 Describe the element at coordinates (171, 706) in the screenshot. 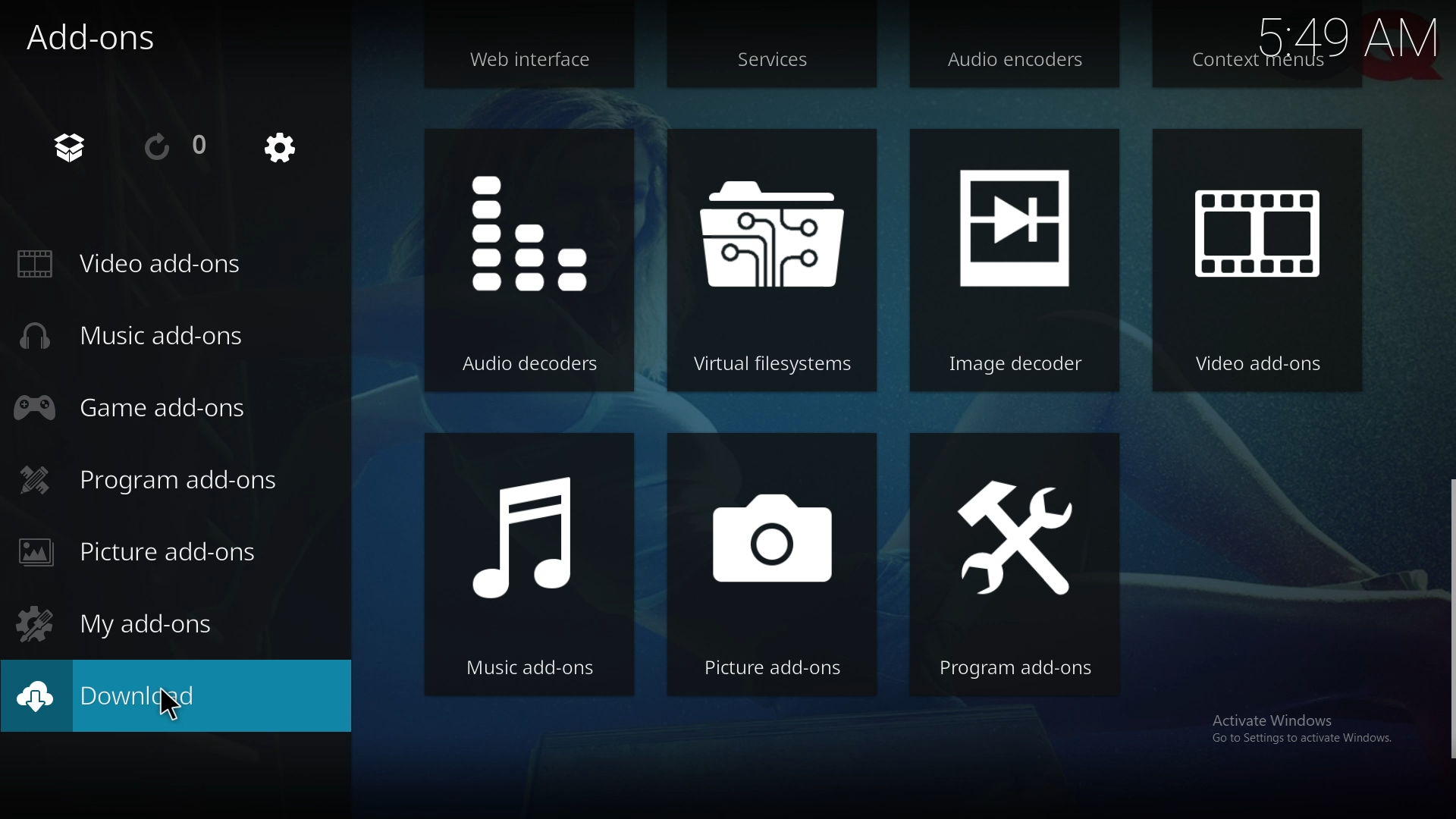

I see `cursor` at that location.